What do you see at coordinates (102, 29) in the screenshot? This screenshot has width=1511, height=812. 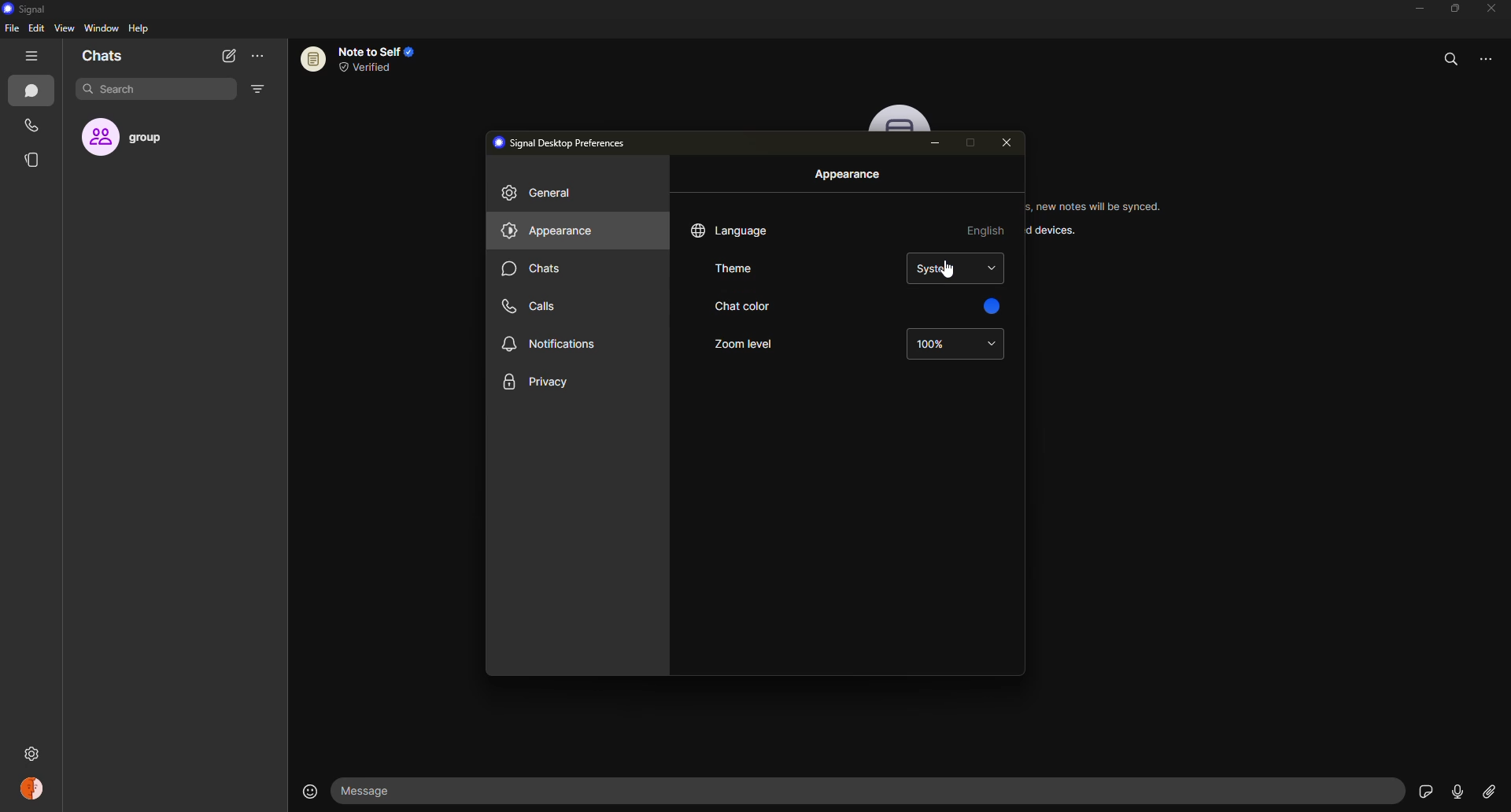 I see `window` at bounding box center [102, 29].